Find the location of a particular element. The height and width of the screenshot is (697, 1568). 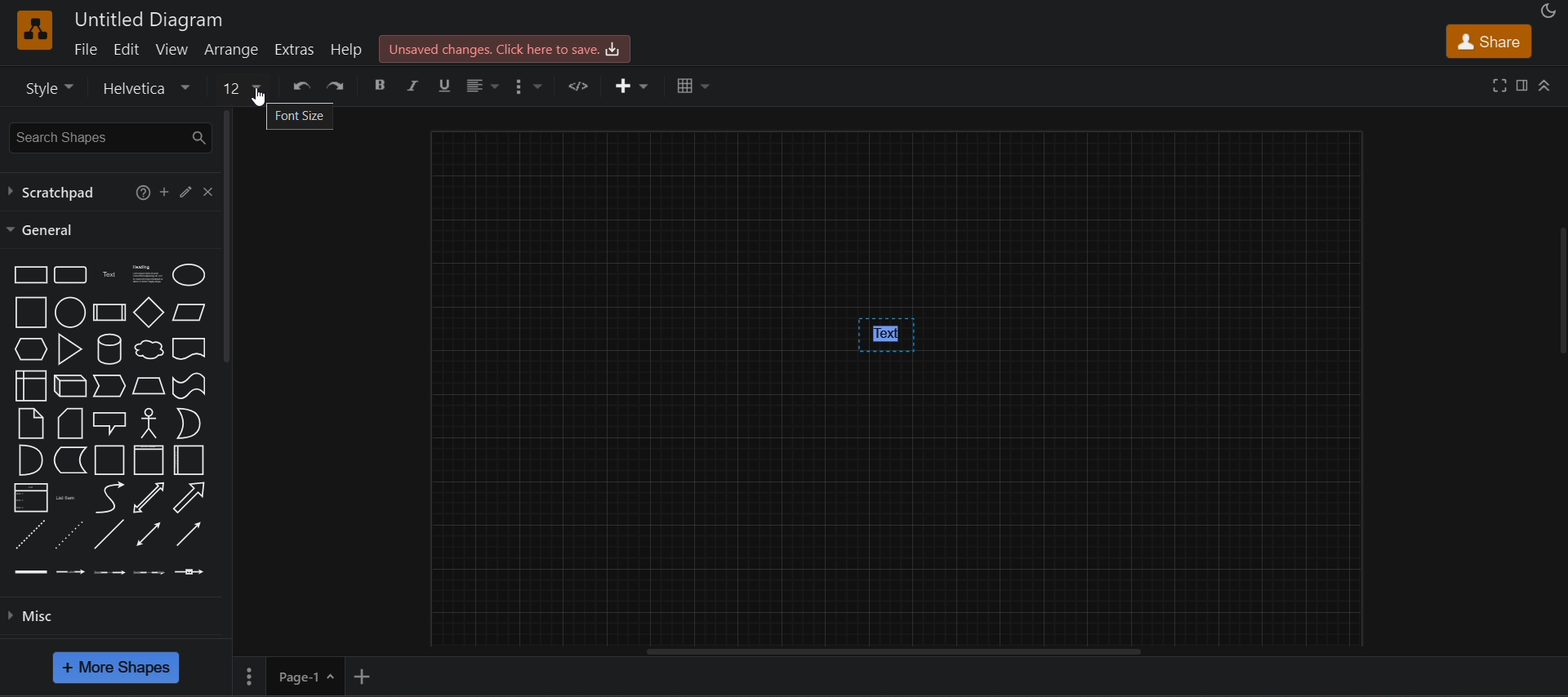

text is located at coordinates (887, 335).